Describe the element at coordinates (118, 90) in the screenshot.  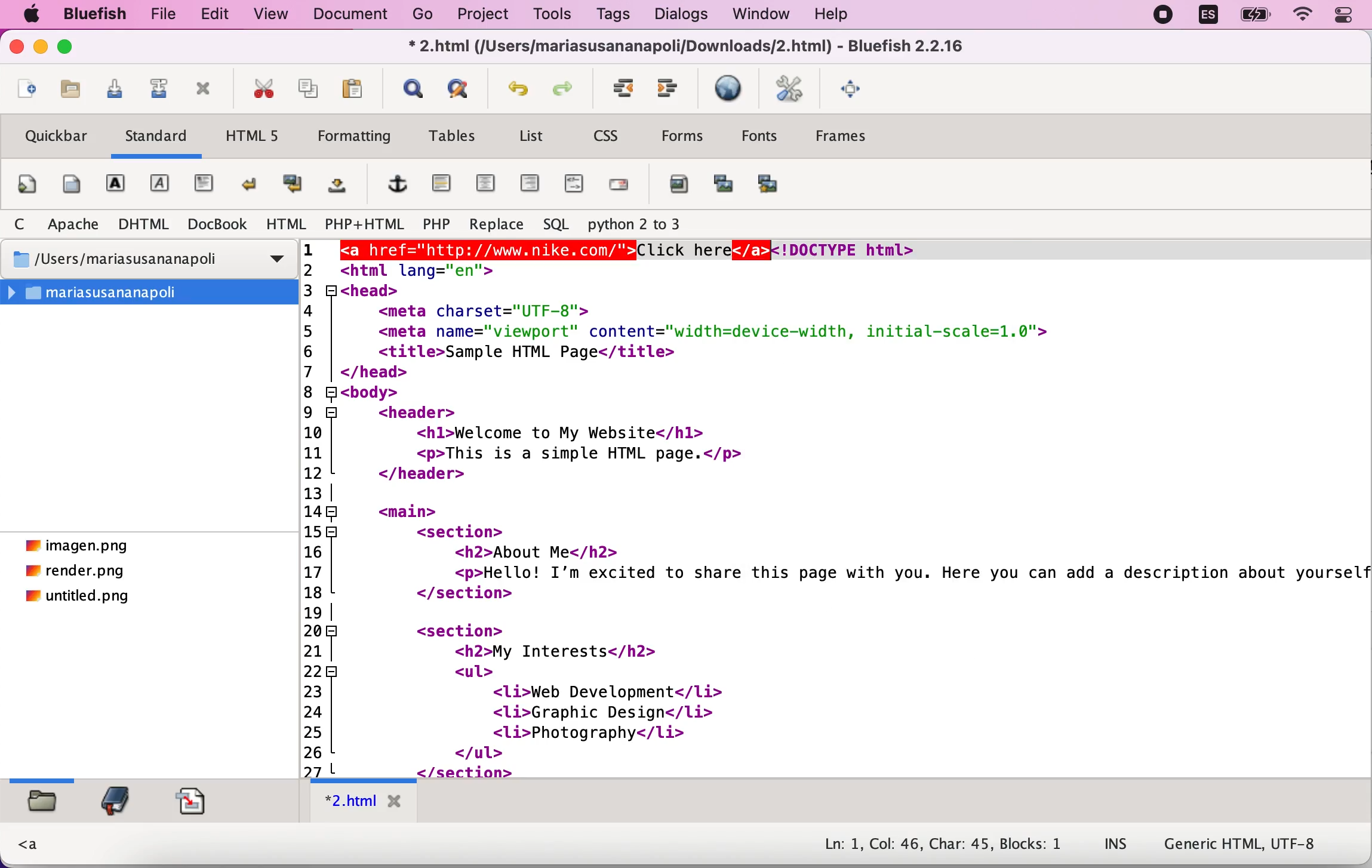
I see `save` at that location.